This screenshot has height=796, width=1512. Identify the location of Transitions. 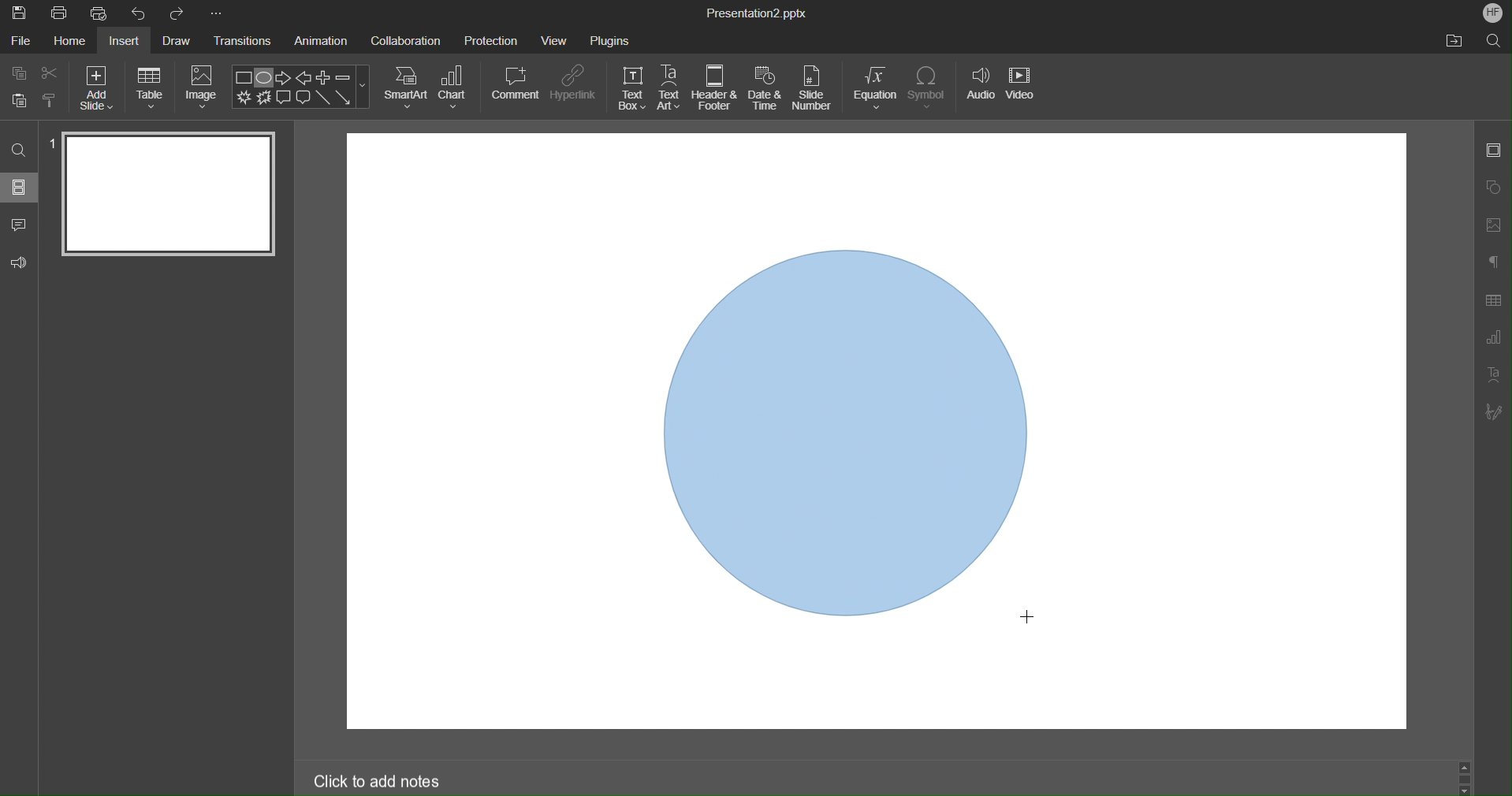
(244, 43).